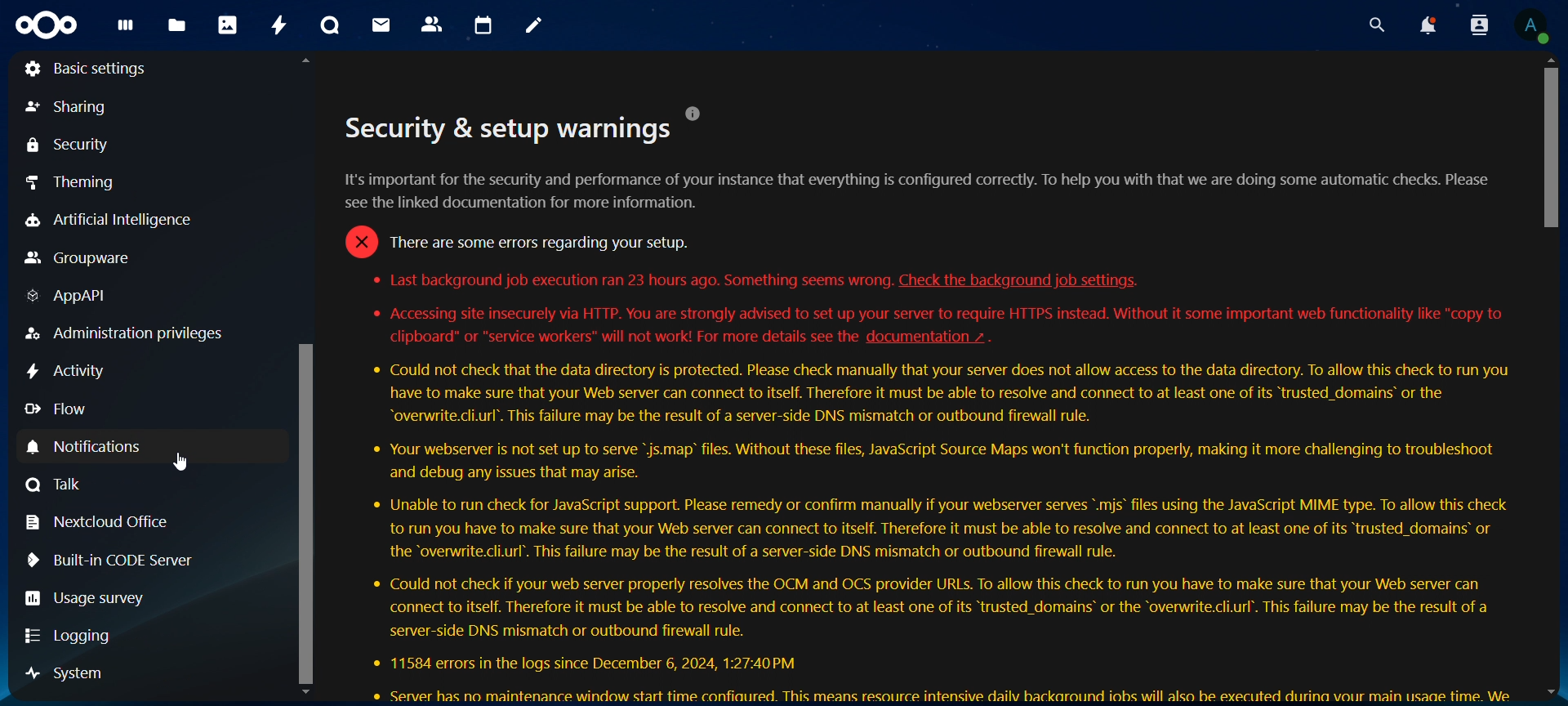 The width and height of the screenshot is (1568, 706). I want to click on administration privileges, so click(127, 331).